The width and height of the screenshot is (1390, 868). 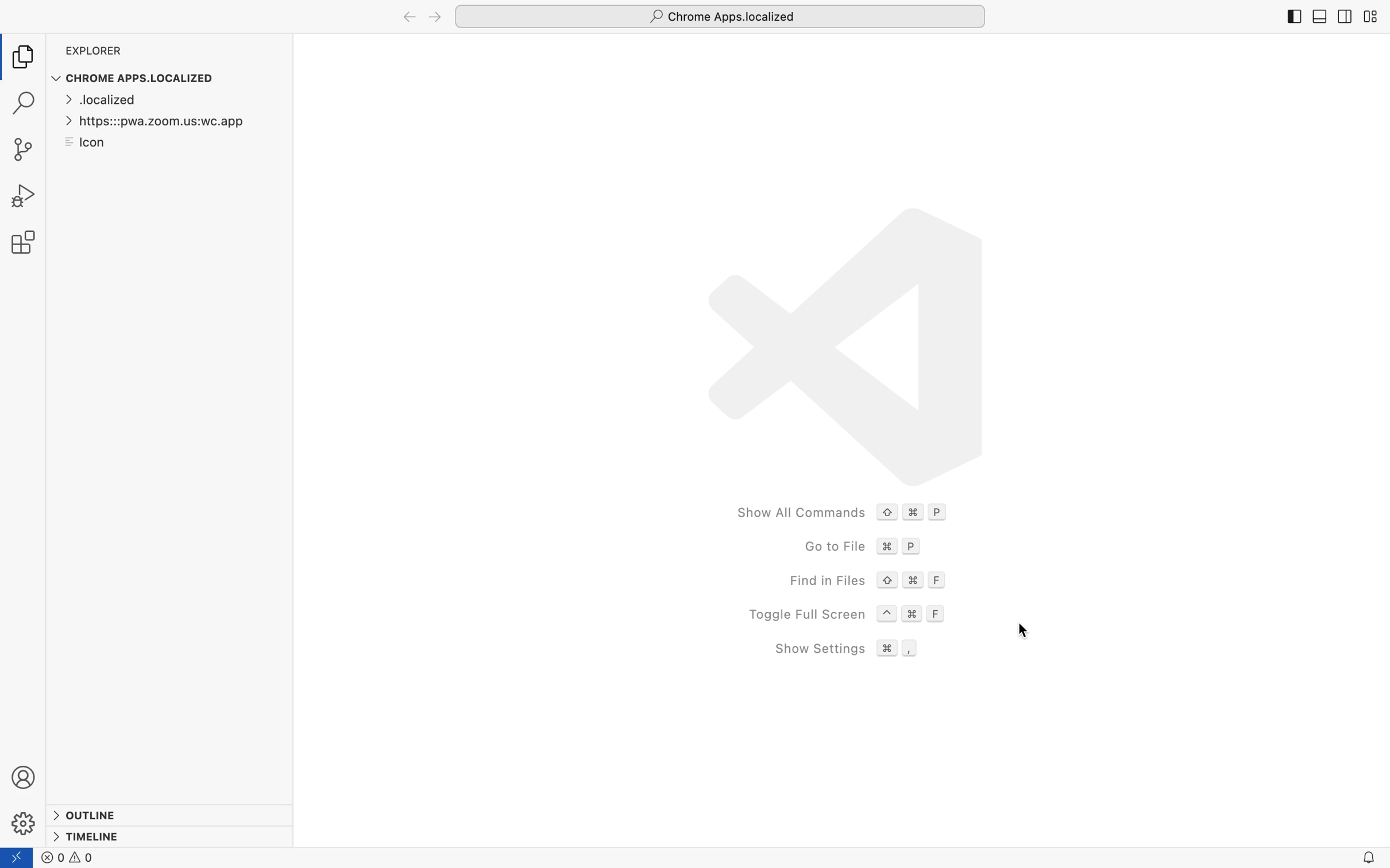 I want to click on customise layout, so click(x=1369, y=18).